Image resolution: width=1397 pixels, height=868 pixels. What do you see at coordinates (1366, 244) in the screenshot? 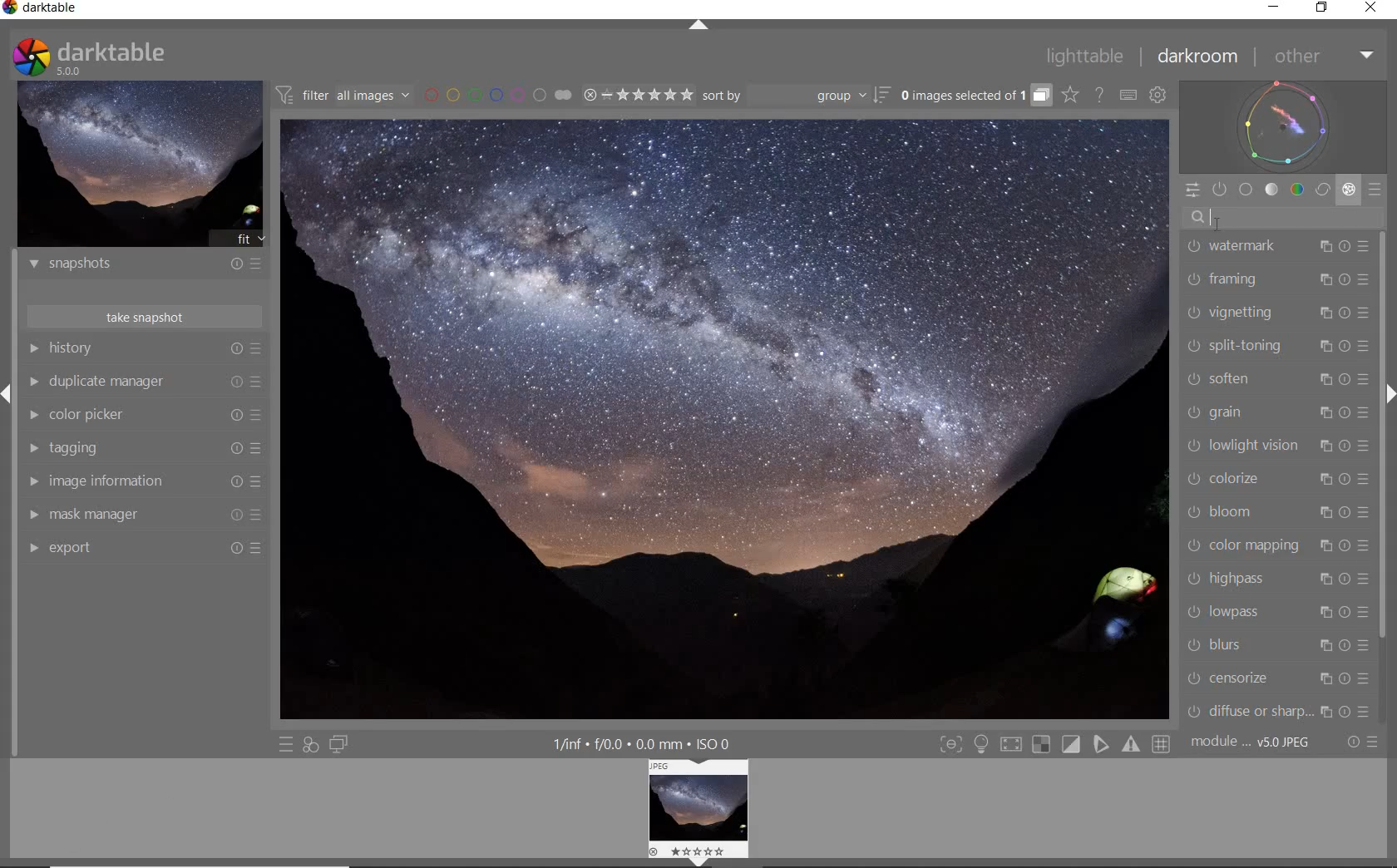
I see `presets` at bounding box center [1366, 244].